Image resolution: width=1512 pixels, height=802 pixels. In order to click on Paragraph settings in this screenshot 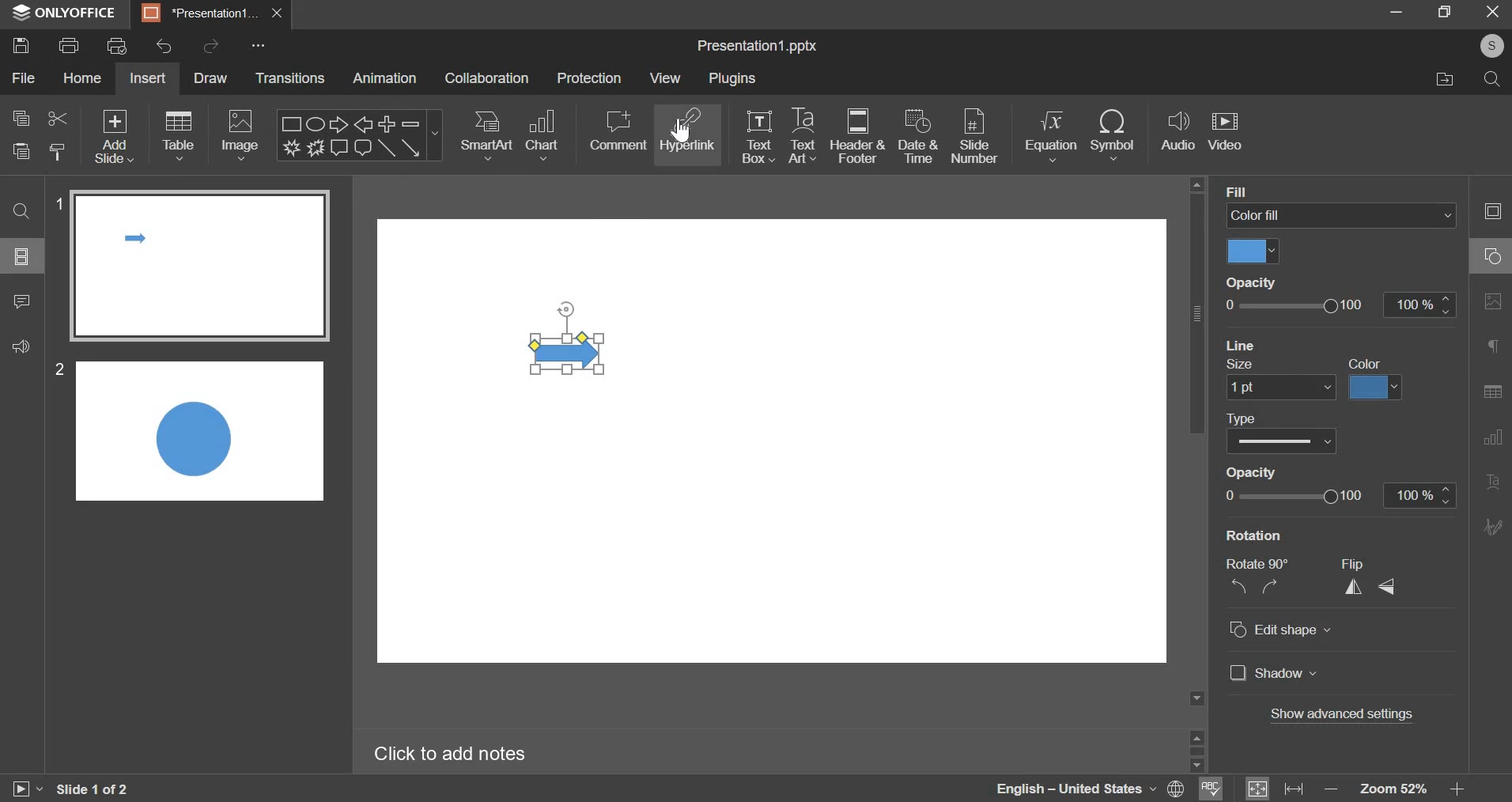, I will do `click(1496, 347)`.